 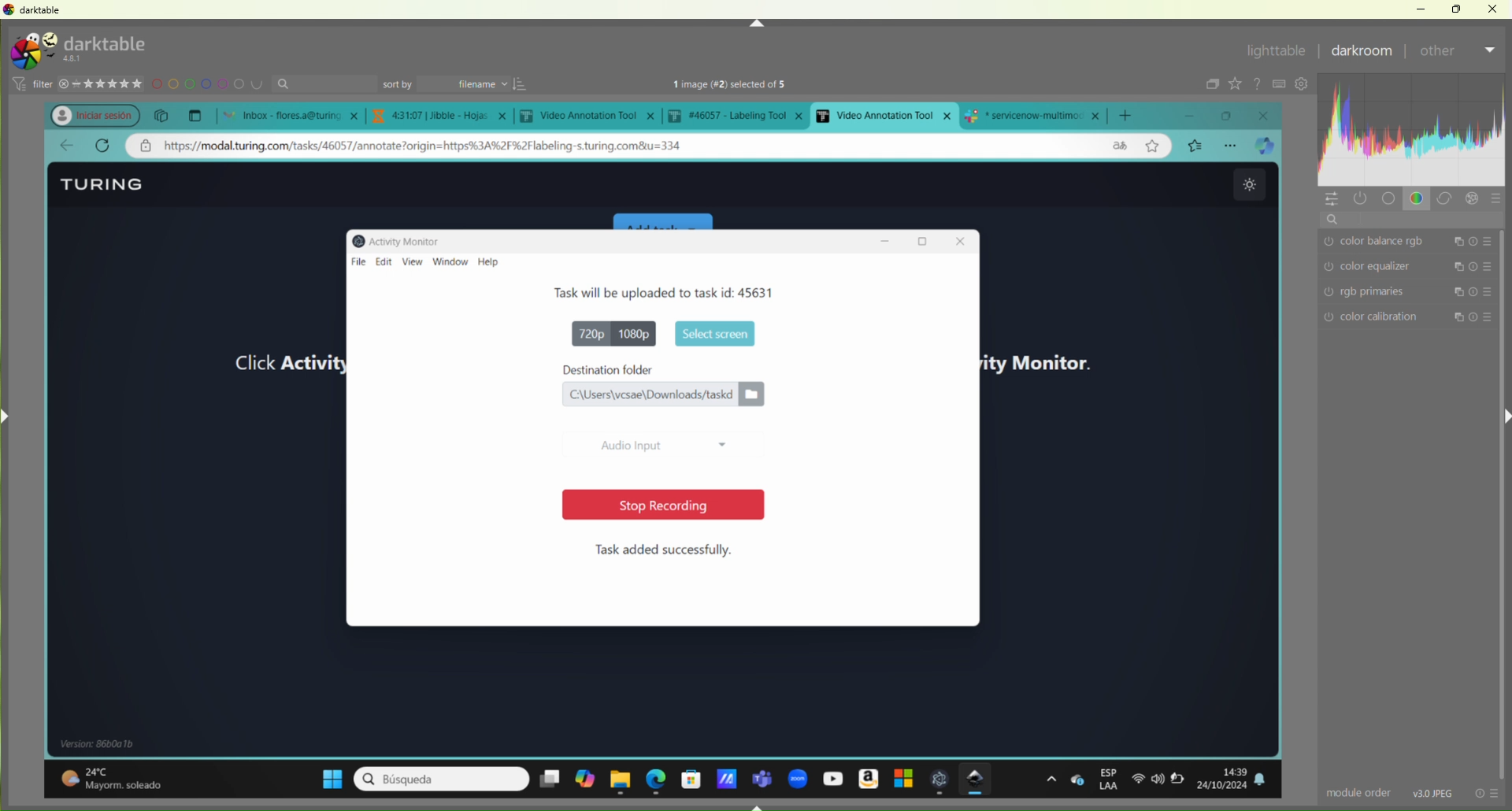 I want to click on star page, so click(x=1151, y=148).